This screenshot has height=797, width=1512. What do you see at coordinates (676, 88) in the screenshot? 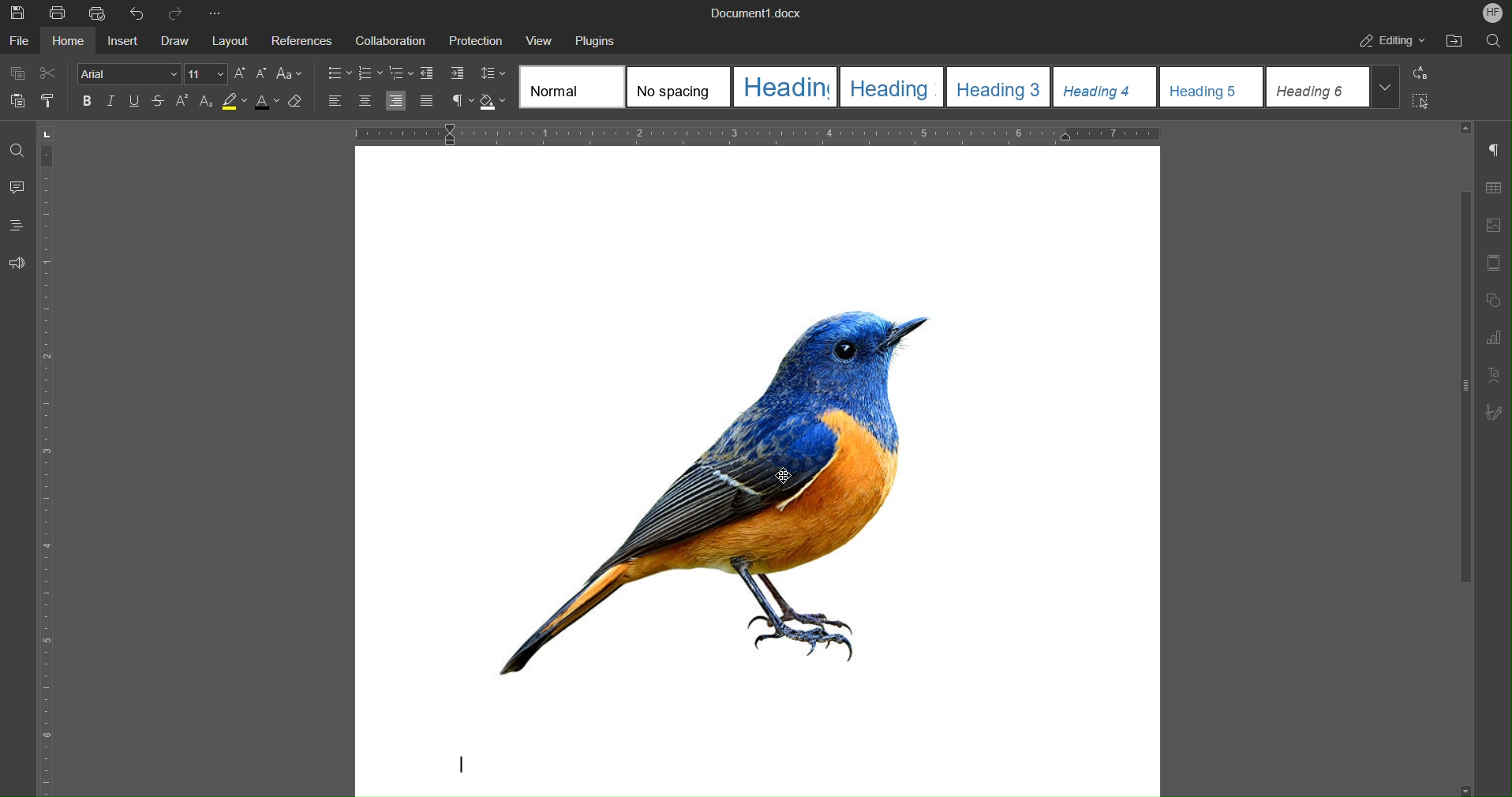
I see `No spacing` at bounding box center [676, 88].